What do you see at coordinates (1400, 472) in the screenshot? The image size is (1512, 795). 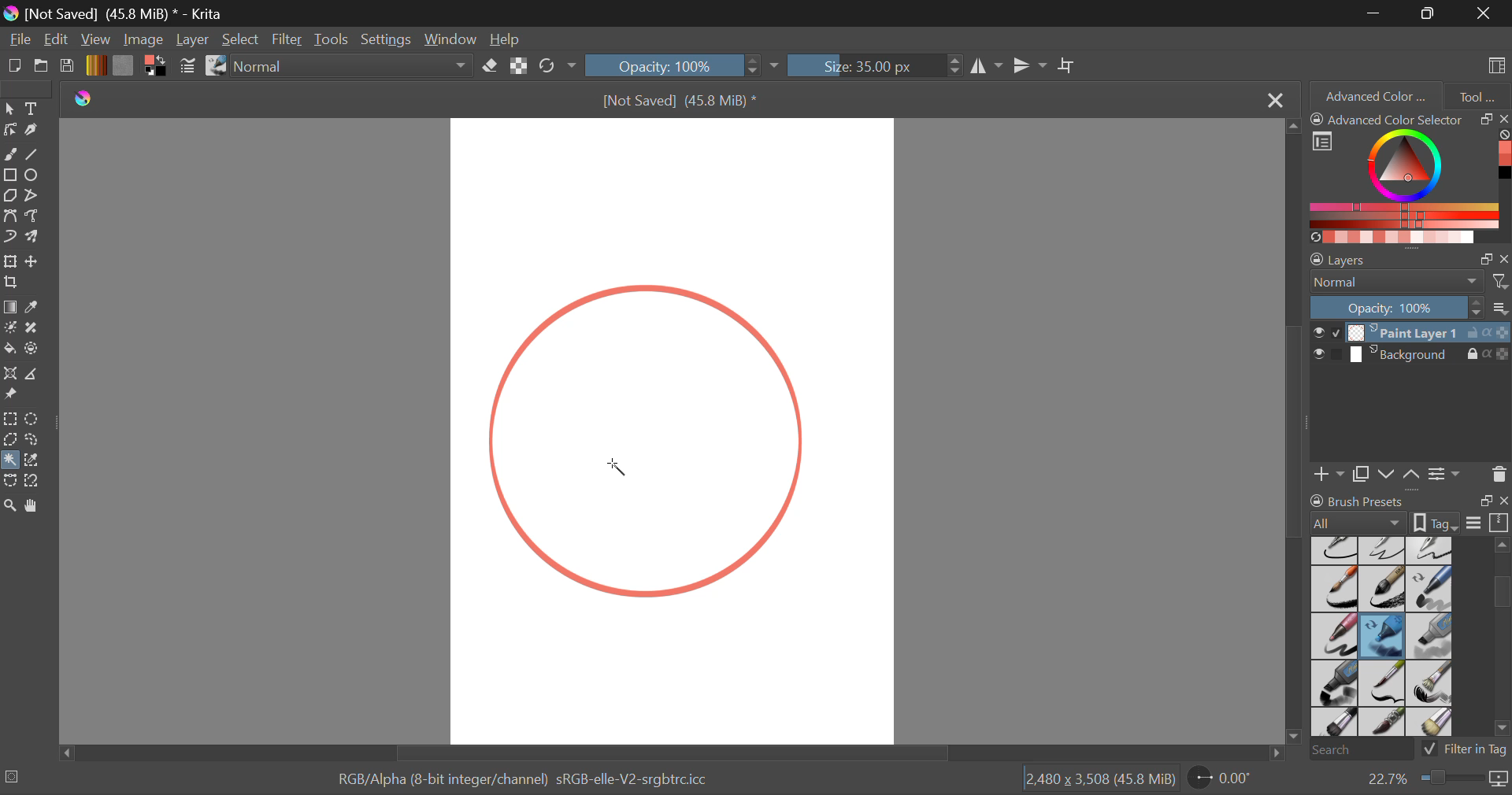 I see `Move Layers` at bounding box center [1400, 472].